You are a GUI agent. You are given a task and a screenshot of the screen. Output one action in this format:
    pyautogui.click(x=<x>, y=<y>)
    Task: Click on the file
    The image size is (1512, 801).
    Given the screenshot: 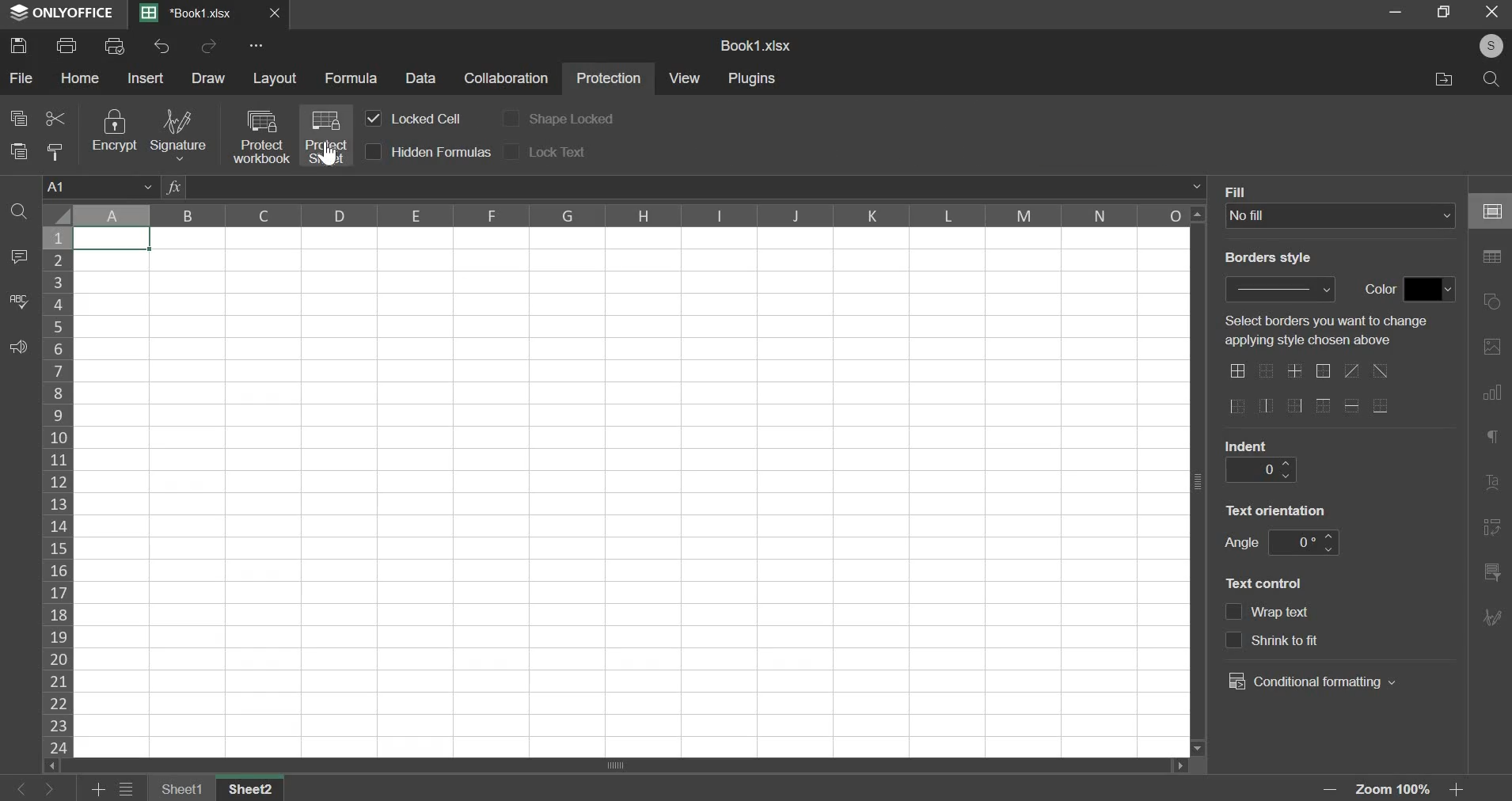 What is the action you would take?
    pyautogui.click(x=21, y=79)
    